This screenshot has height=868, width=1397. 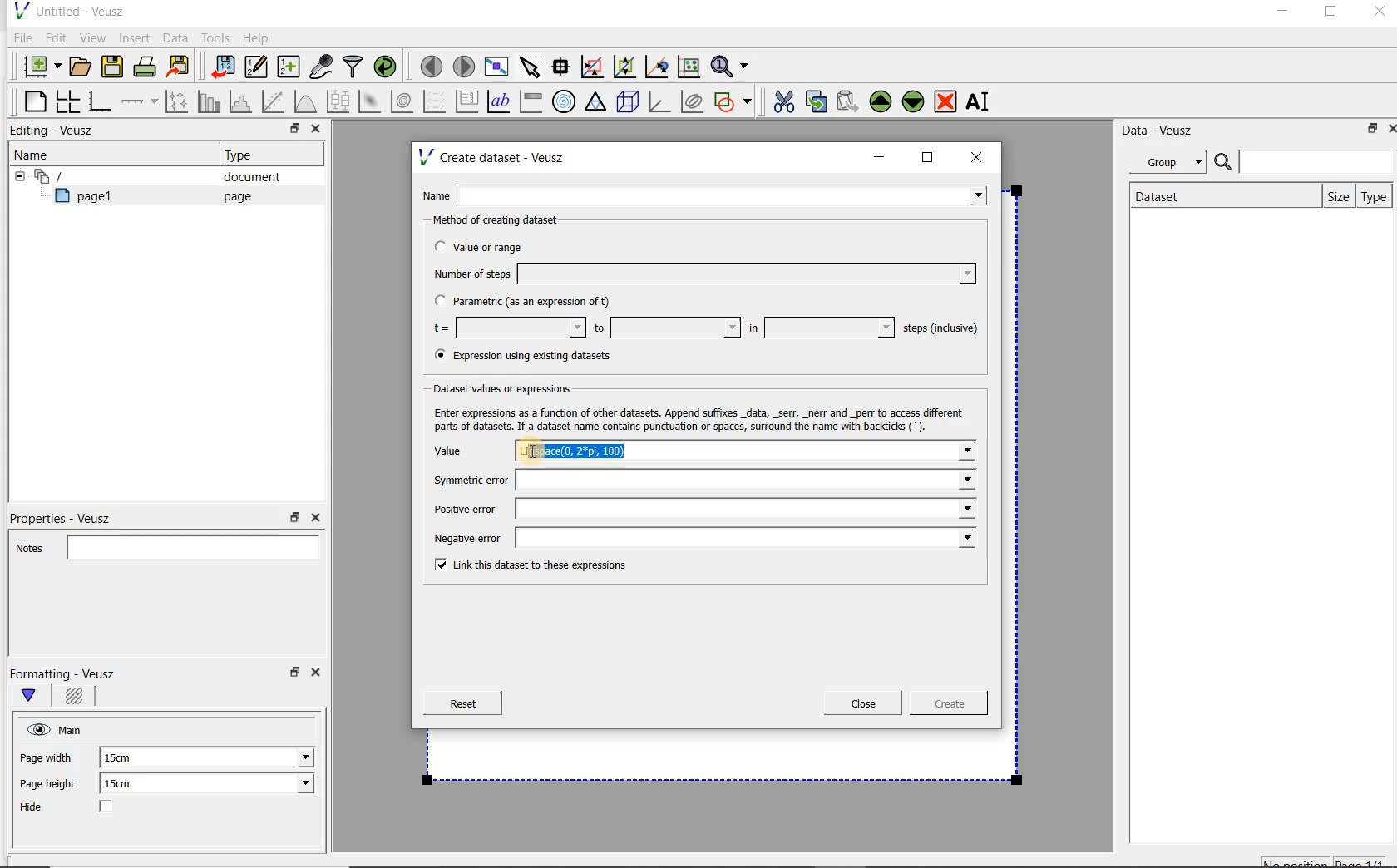 What do you see at coordinates (55, 37) in the screenshot?
I see `Edit` at bounding box center [55, 37].